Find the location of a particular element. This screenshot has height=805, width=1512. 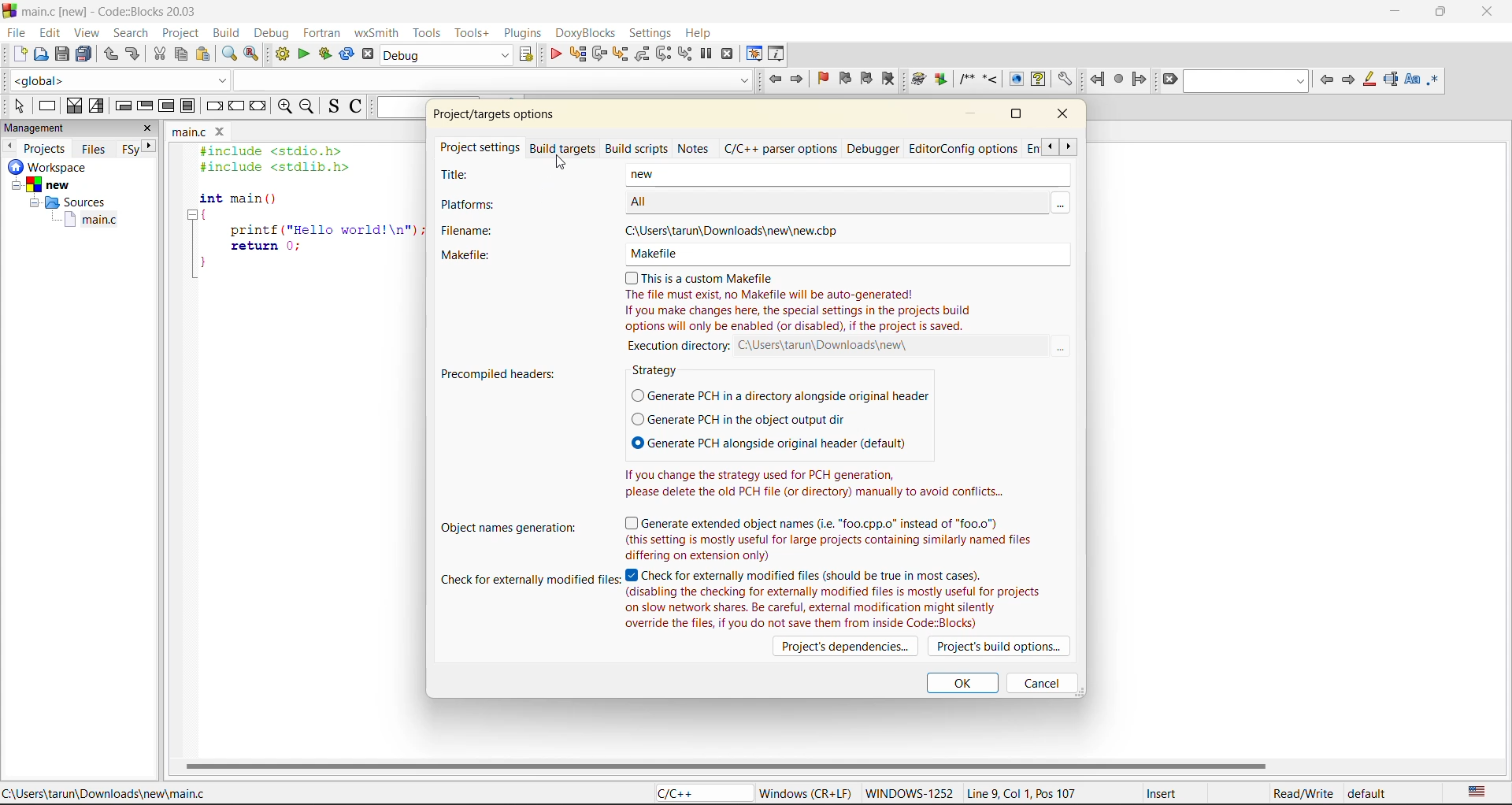

search is located at coordinates (130, 34).